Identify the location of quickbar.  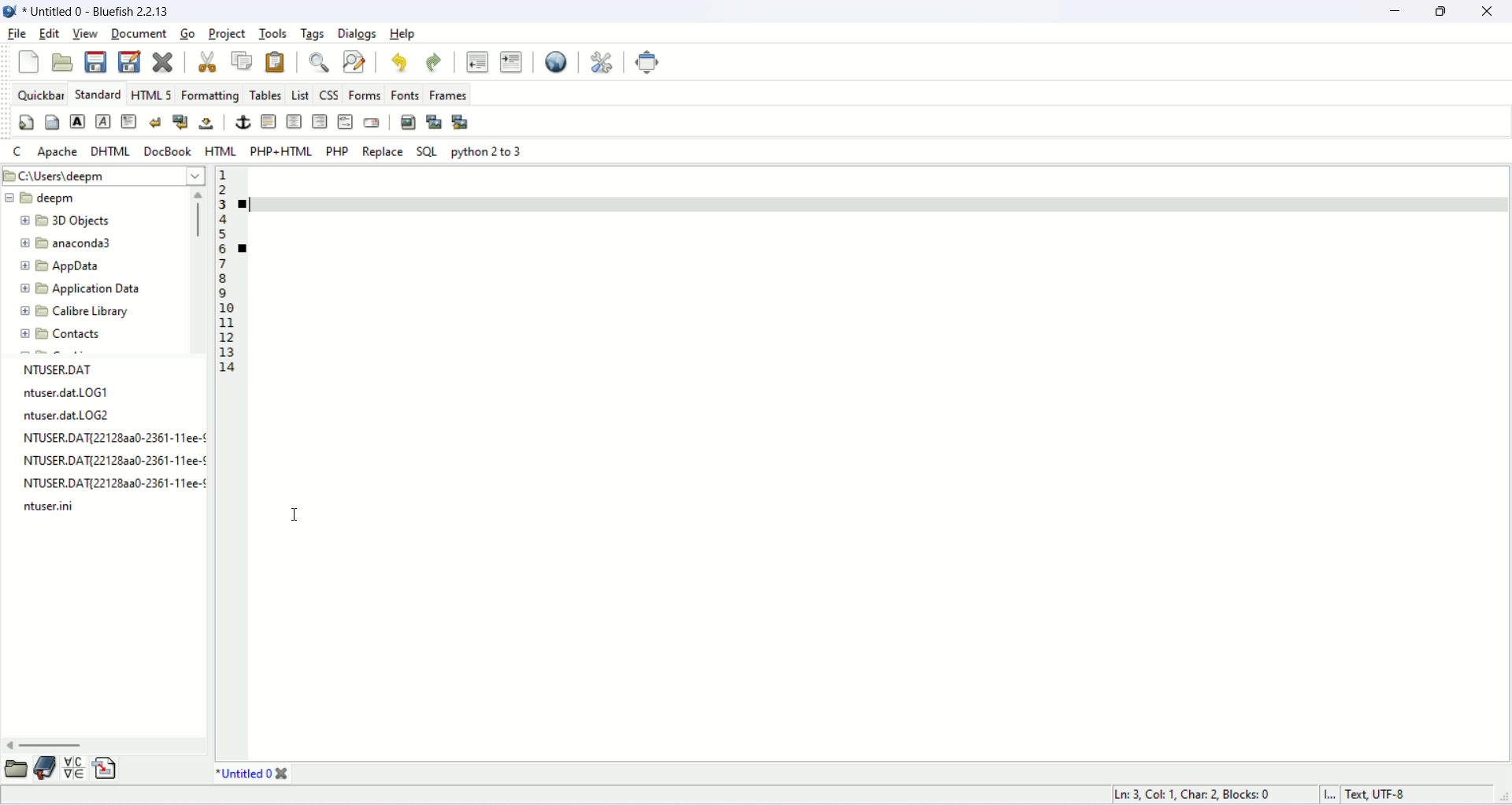
(37, 93).